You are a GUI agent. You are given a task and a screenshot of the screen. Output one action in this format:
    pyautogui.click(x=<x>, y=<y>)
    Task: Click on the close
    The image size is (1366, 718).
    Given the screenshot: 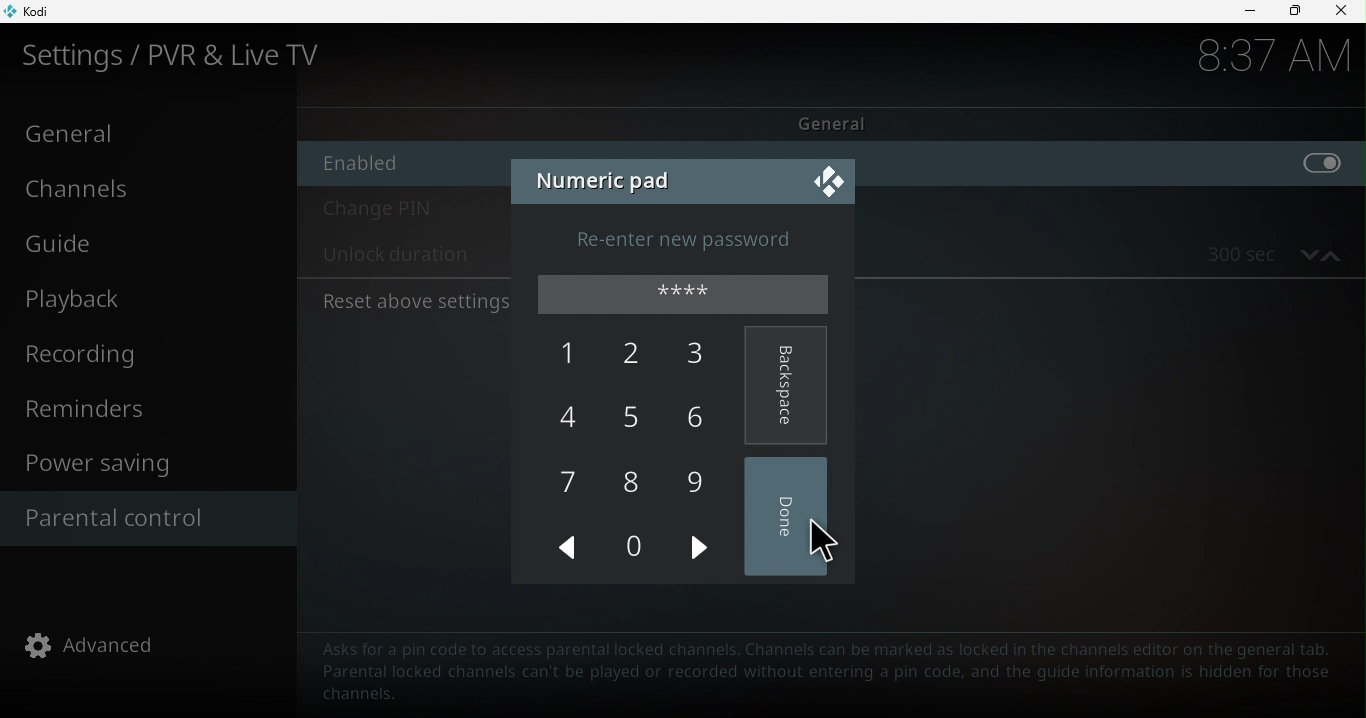 What is the action you would take?
    pyautogui.click(x=1344, y=13)
    